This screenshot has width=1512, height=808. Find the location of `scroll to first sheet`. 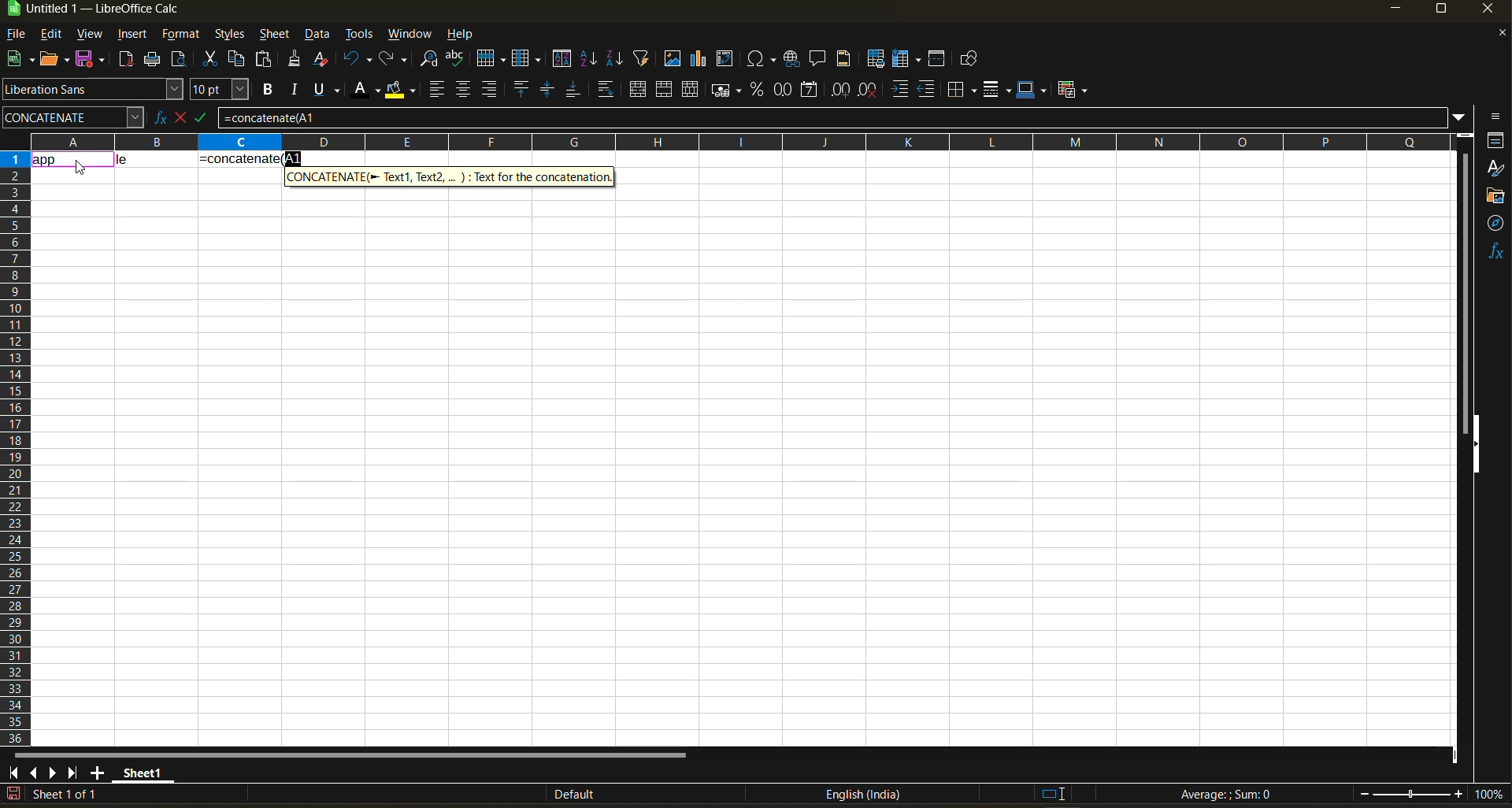

scroll to first sheet is located at coordinates (14, 770).